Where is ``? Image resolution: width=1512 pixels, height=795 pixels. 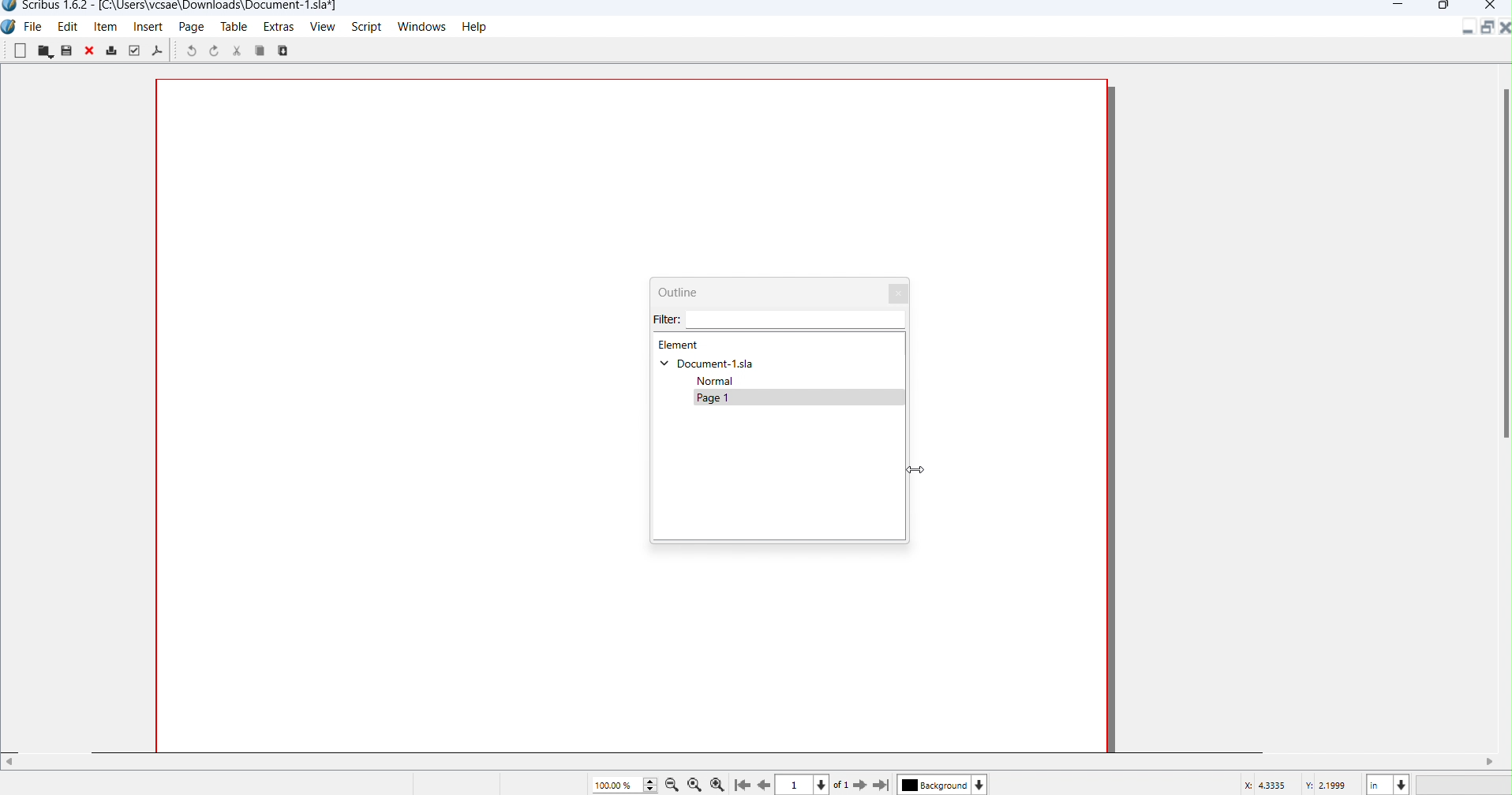  is located at coordinates (136, 50).